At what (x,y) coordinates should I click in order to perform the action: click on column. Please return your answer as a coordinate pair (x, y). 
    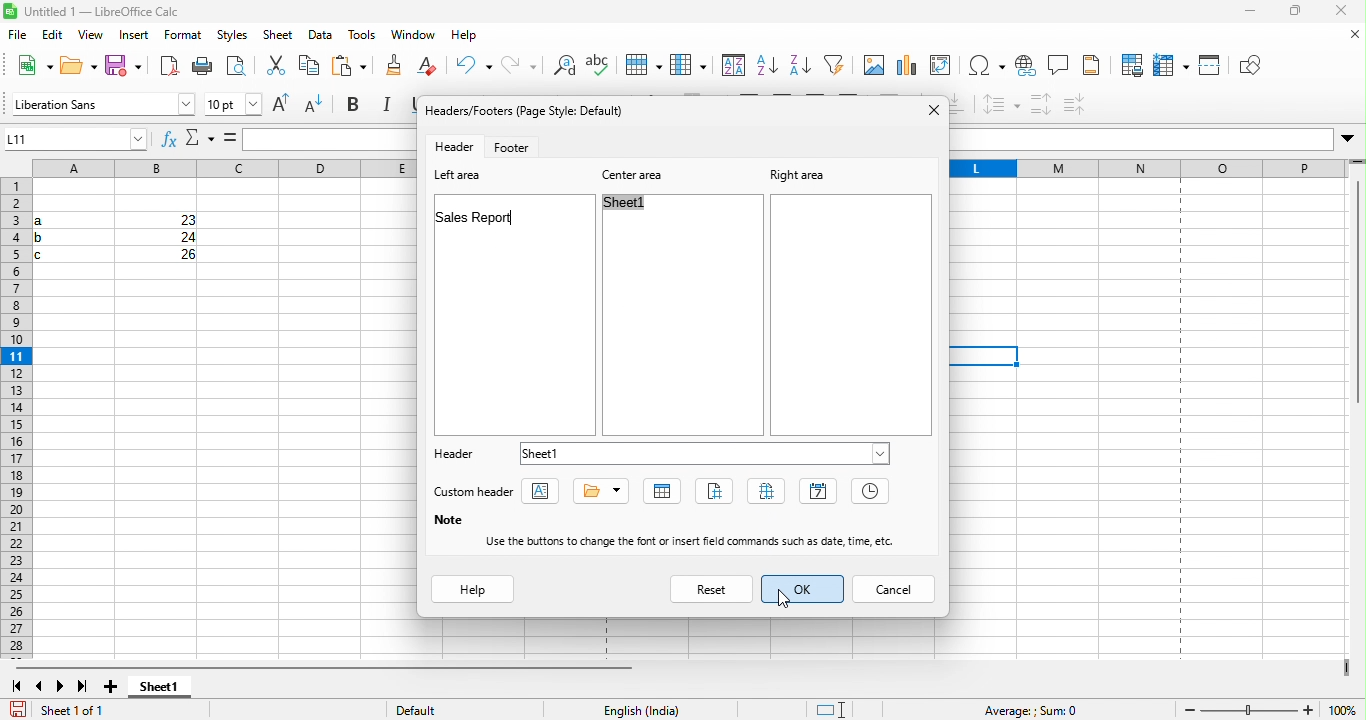
    Looking at the image, I should click on (640, 66).